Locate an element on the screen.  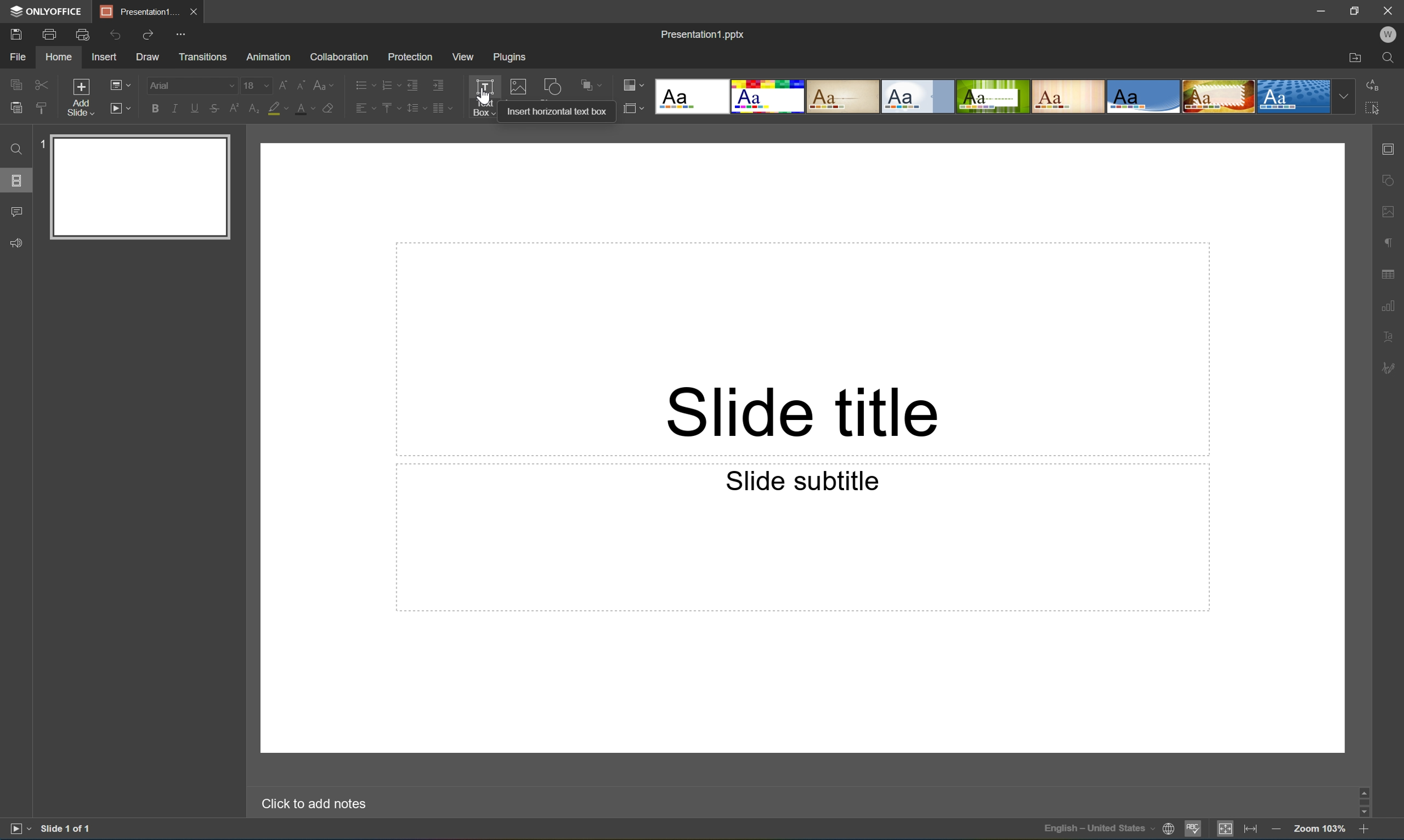
ONYOFFICE is located at coordinates (44, 11).